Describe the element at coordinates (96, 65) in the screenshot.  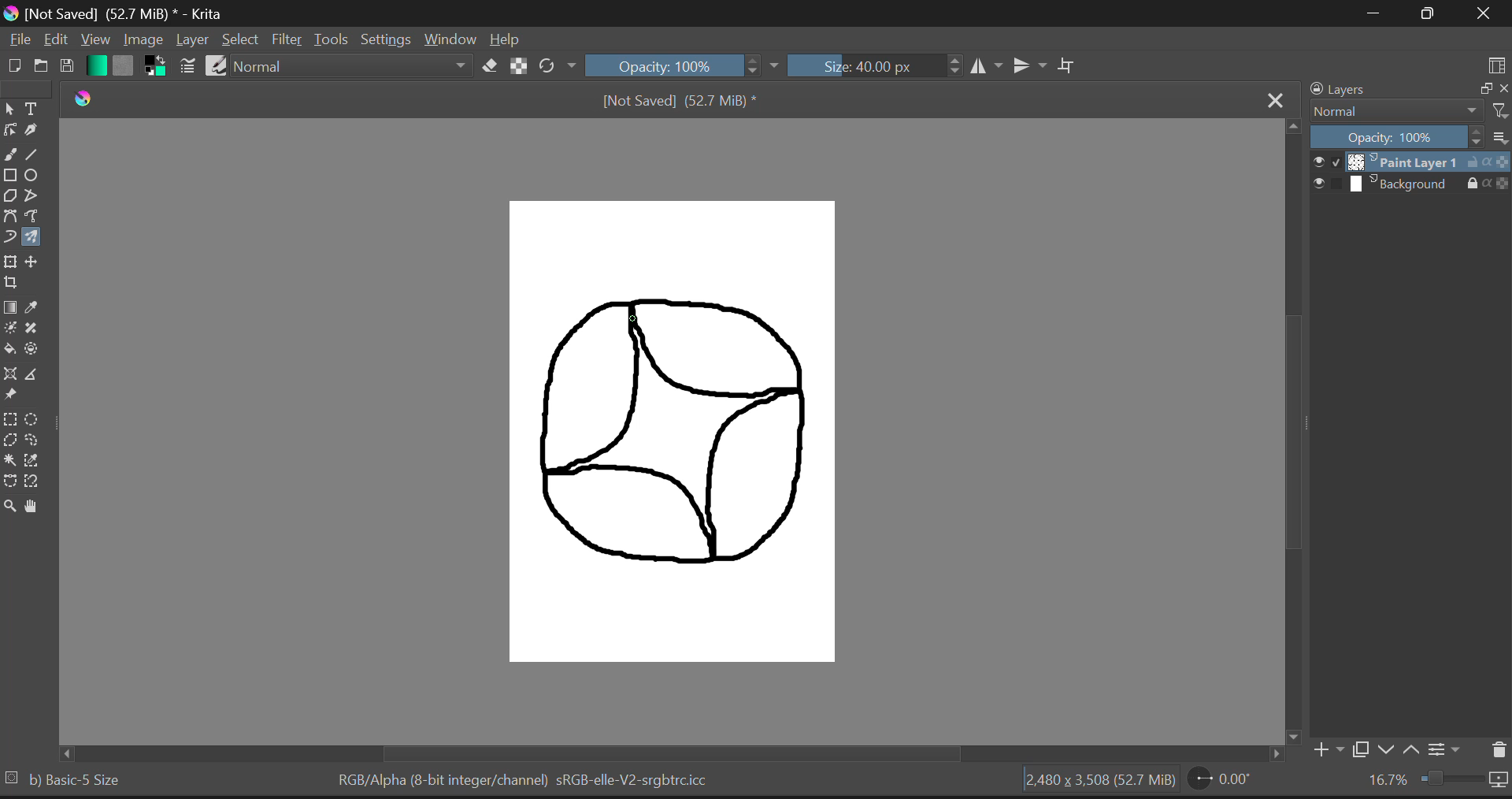
I see `Gradient` at that location.